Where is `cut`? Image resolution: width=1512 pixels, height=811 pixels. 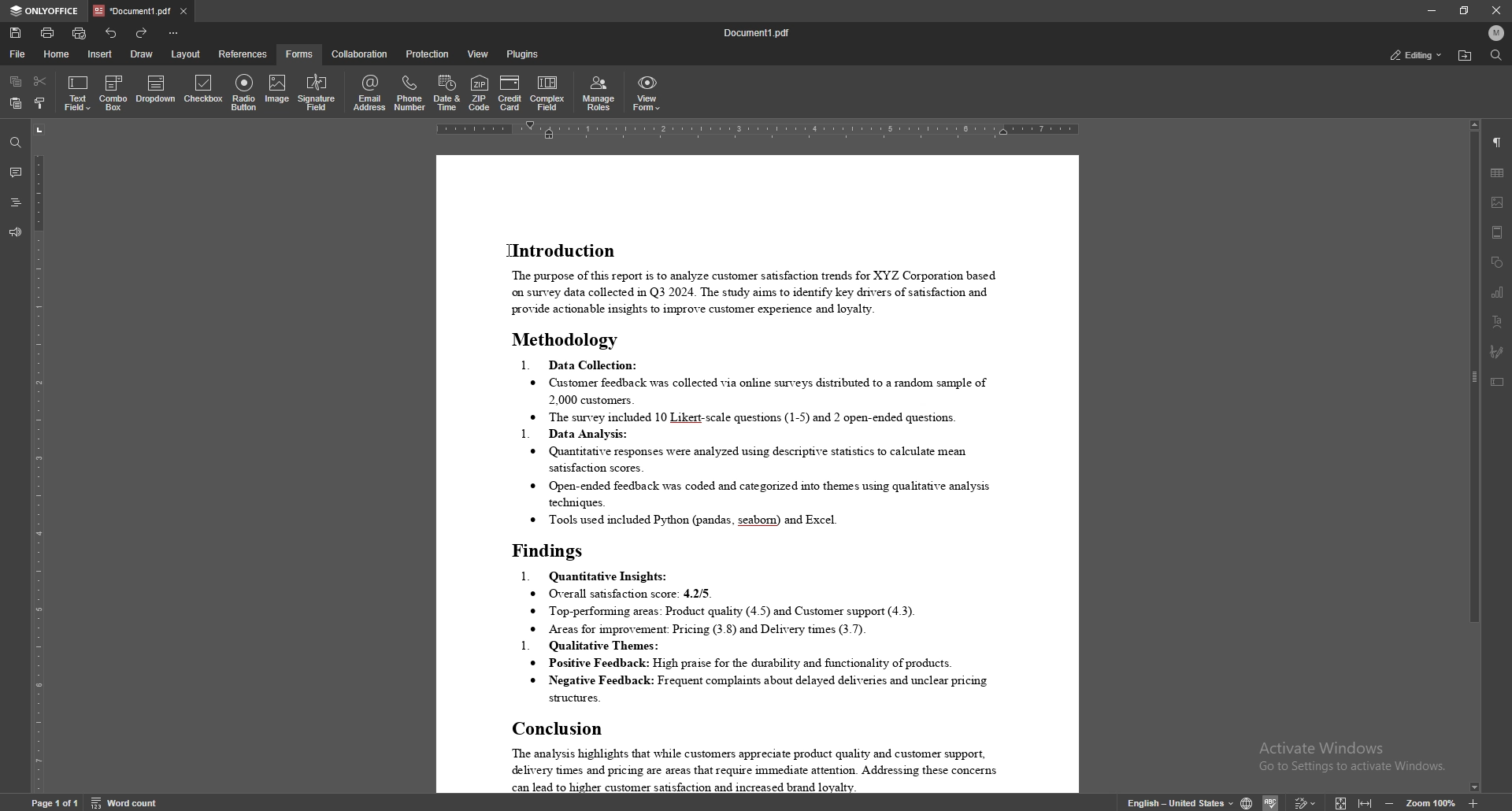
cut is located at coordinates (42, 82).